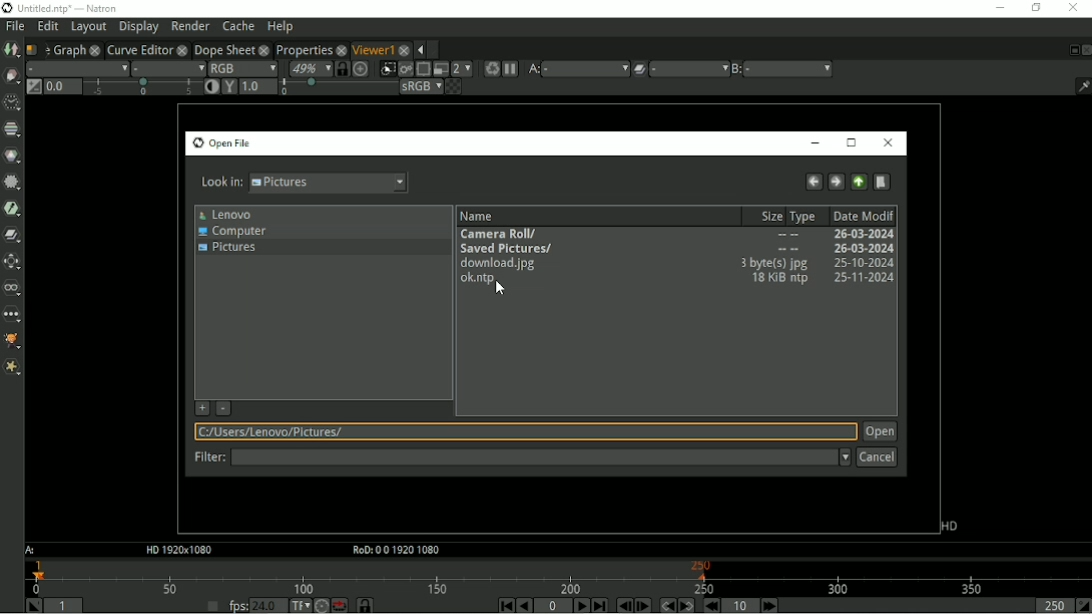 The height and width of the screenshot is (614, 1092). Describe the element at coordinates (490, 69) in the screenshot. I see `Render` at that location.